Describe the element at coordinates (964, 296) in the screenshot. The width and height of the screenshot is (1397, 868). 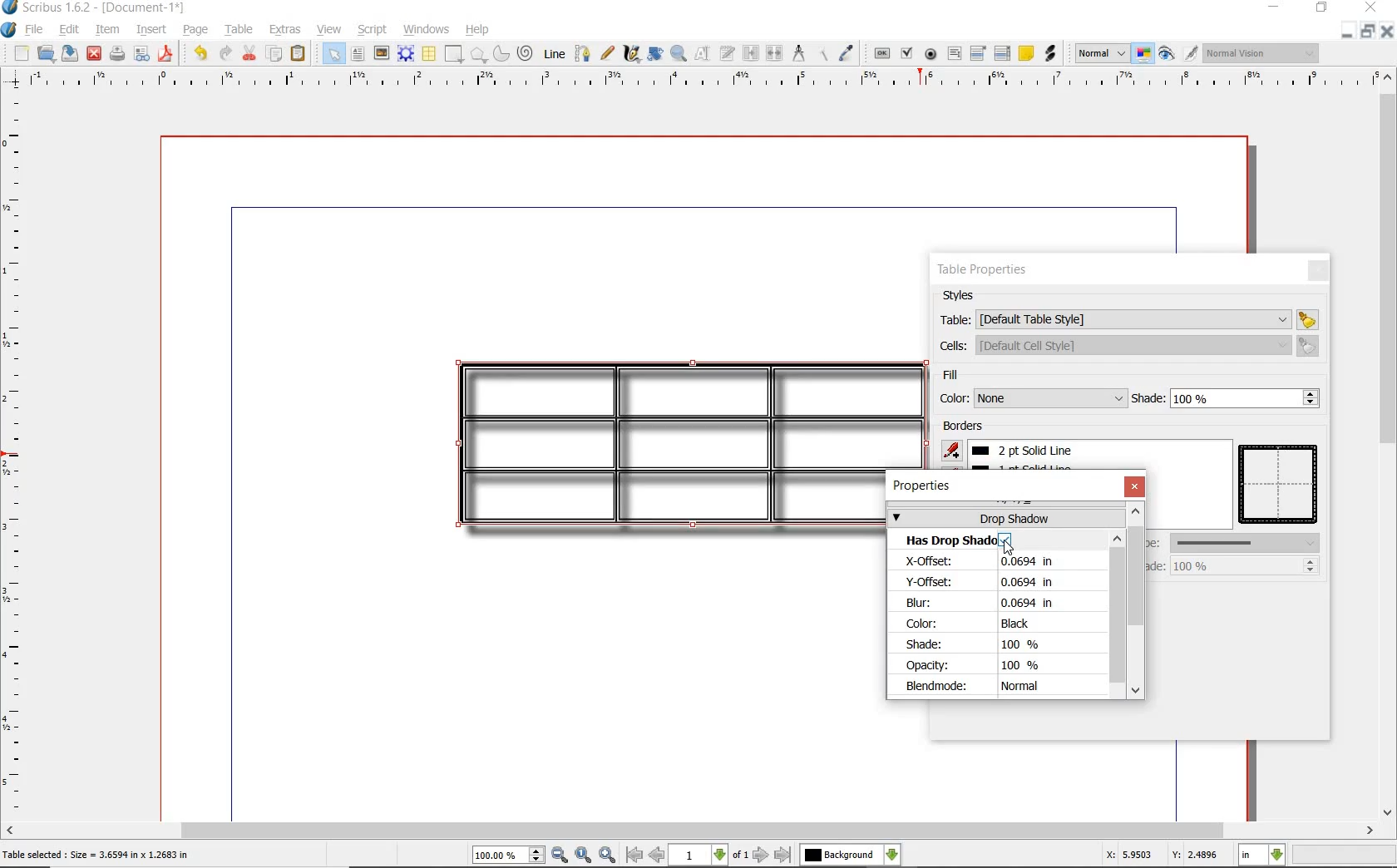
I see `styles` at that location.